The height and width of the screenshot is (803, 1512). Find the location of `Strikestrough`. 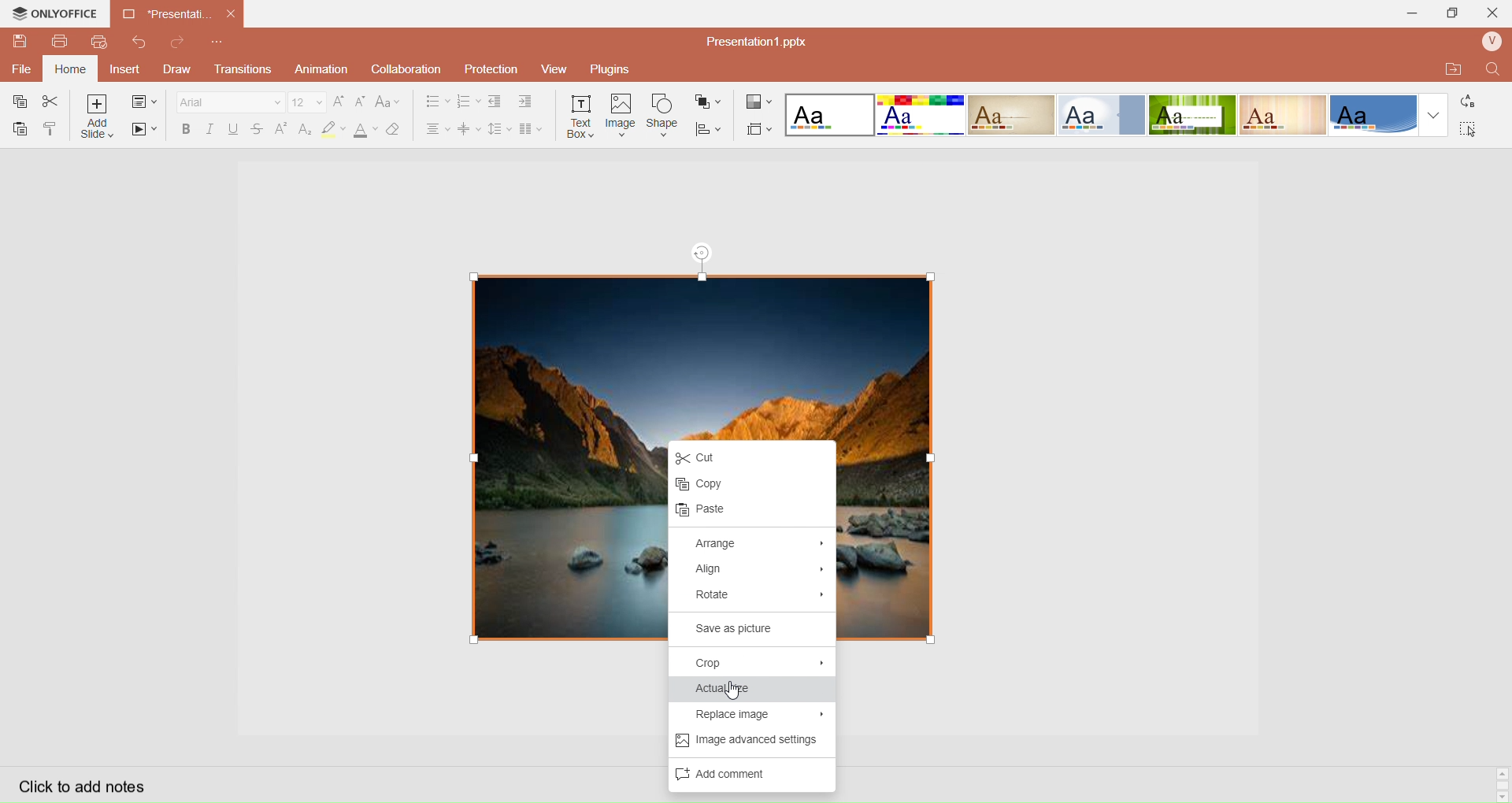

Strikestrough is located at coordinates (256, 129).